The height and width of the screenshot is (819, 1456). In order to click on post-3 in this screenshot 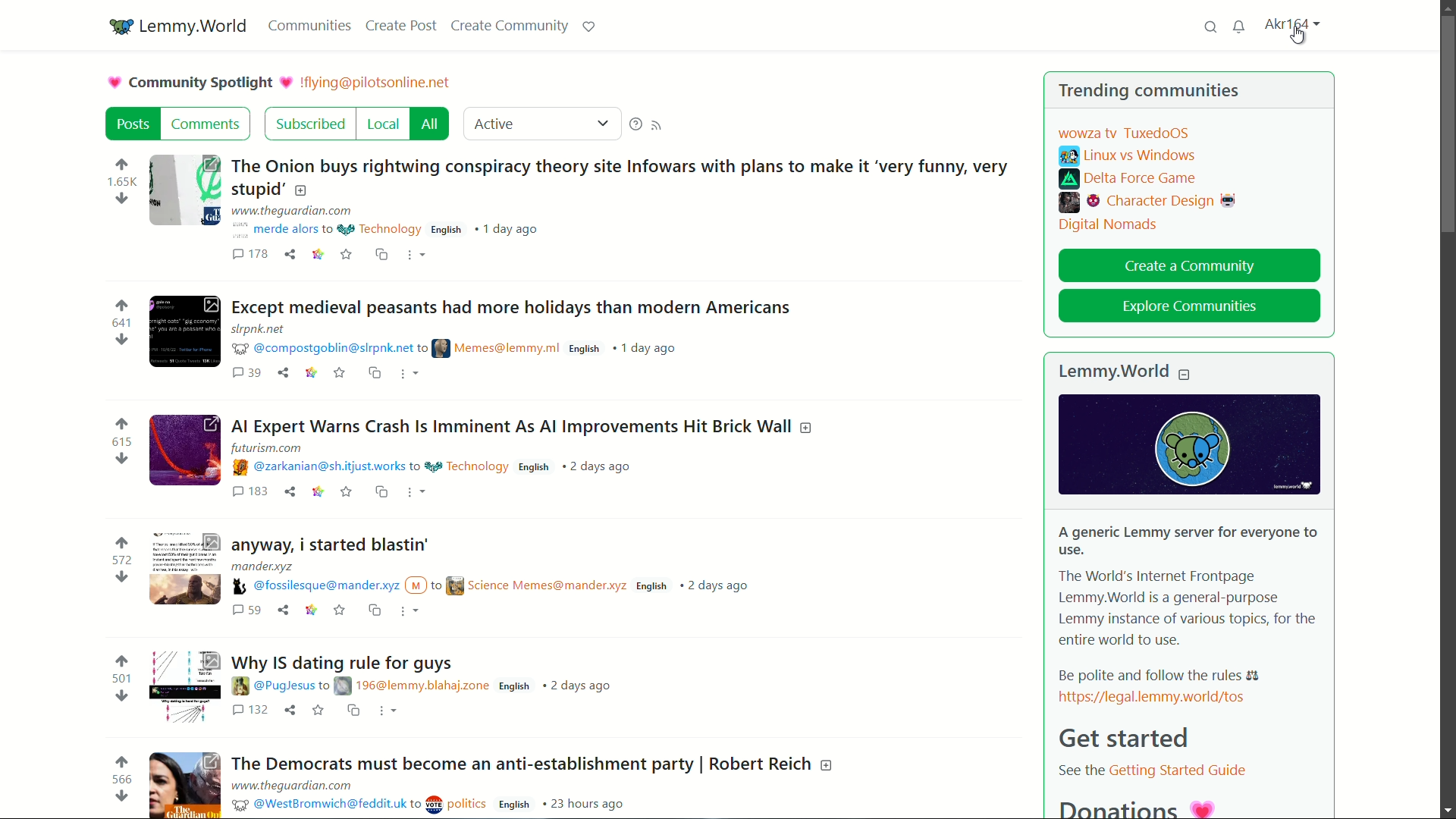, I will do `click(521, 421)`.